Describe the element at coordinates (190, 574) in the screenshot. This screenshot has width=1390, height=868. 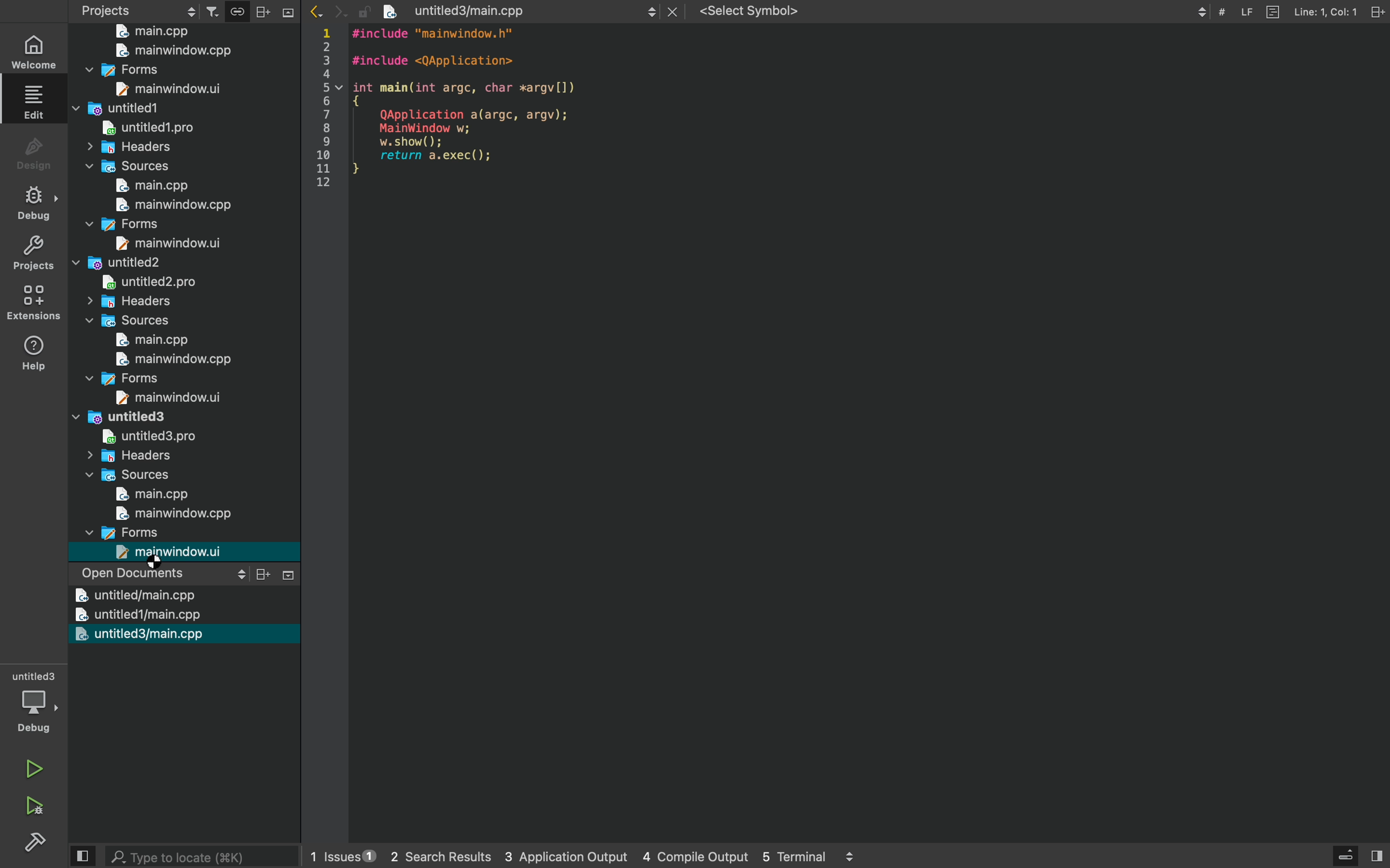
I see `open documents` at that location.